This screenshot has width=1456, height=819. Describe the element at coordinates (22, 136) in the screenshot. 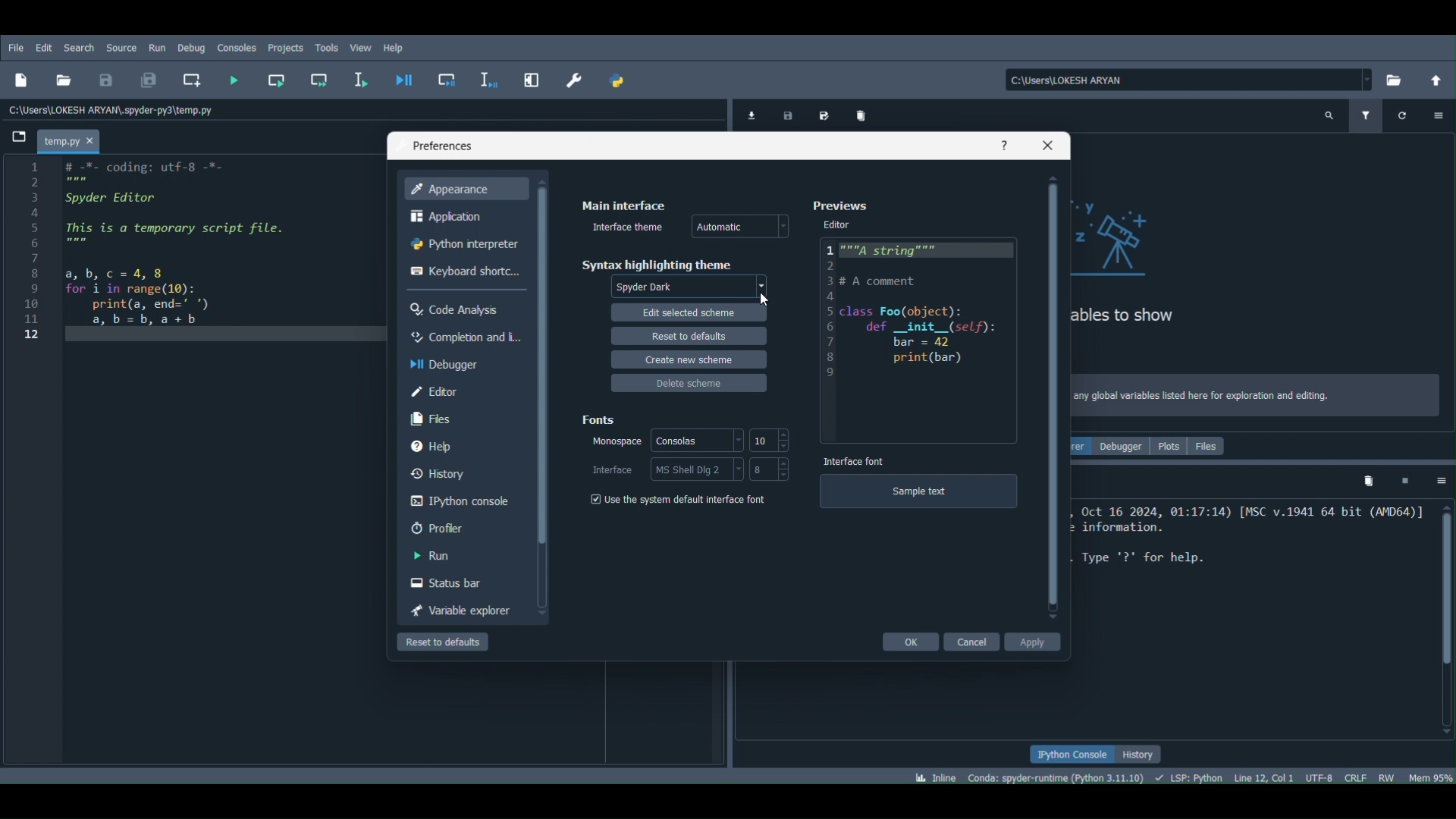

I see `Browse tabs` at that location.